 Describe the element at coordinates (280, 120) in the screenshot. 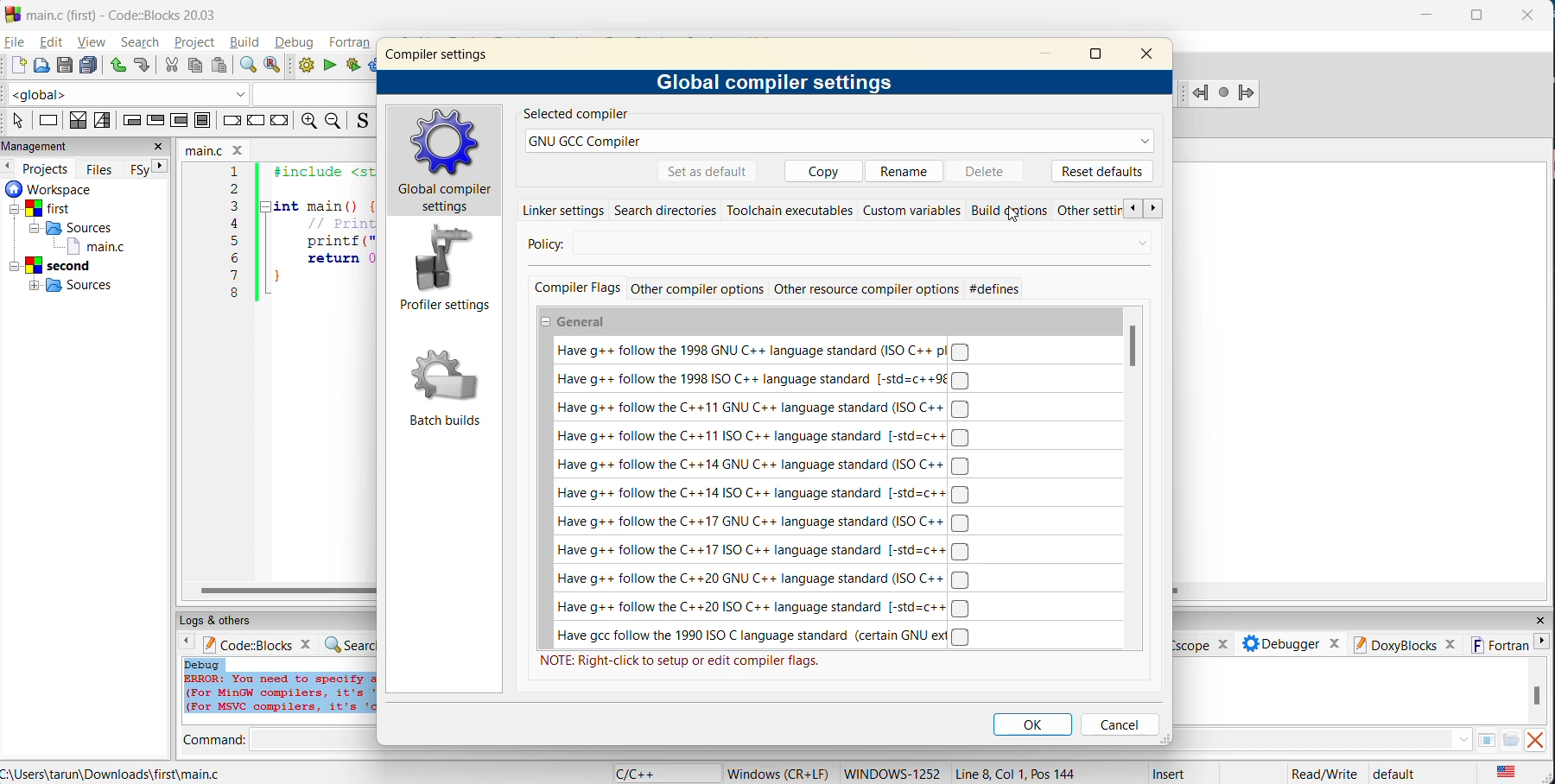

I see `return instruction` at that location.